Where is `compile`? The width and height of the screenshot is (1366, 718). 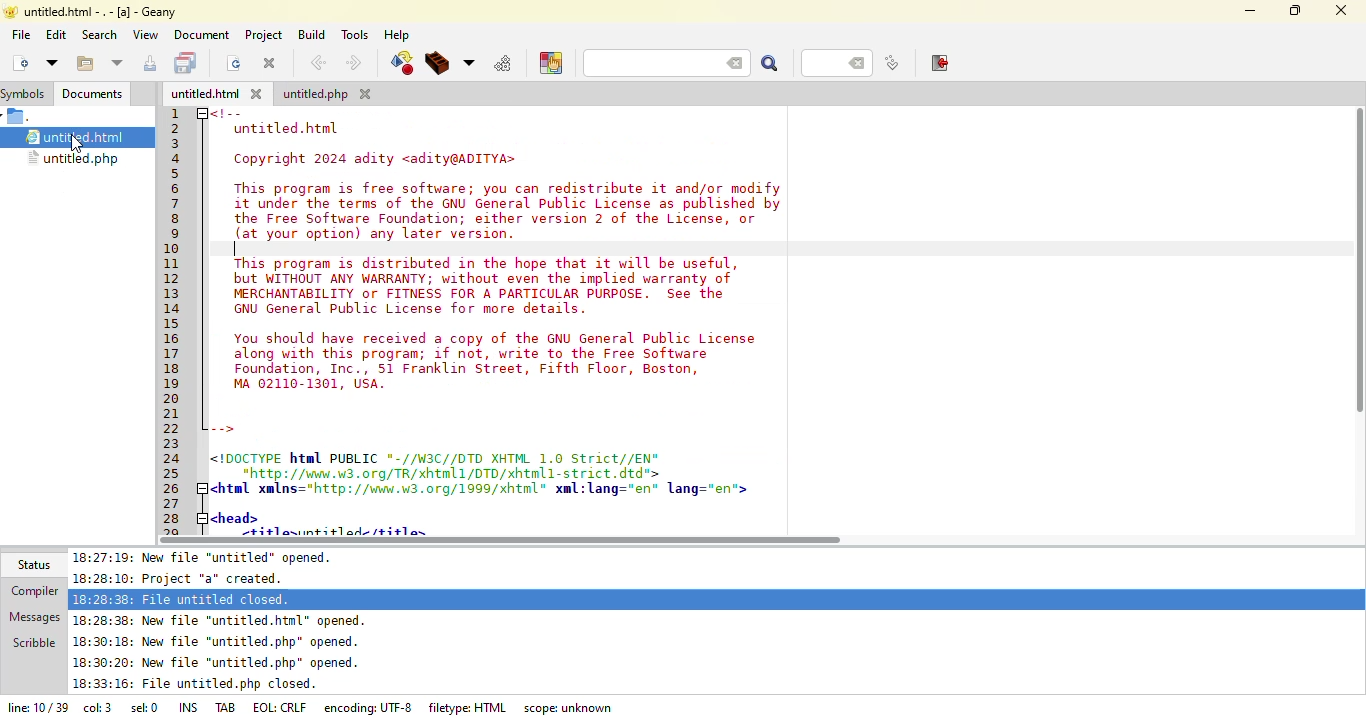 compile is located at coordinates (402, 63).